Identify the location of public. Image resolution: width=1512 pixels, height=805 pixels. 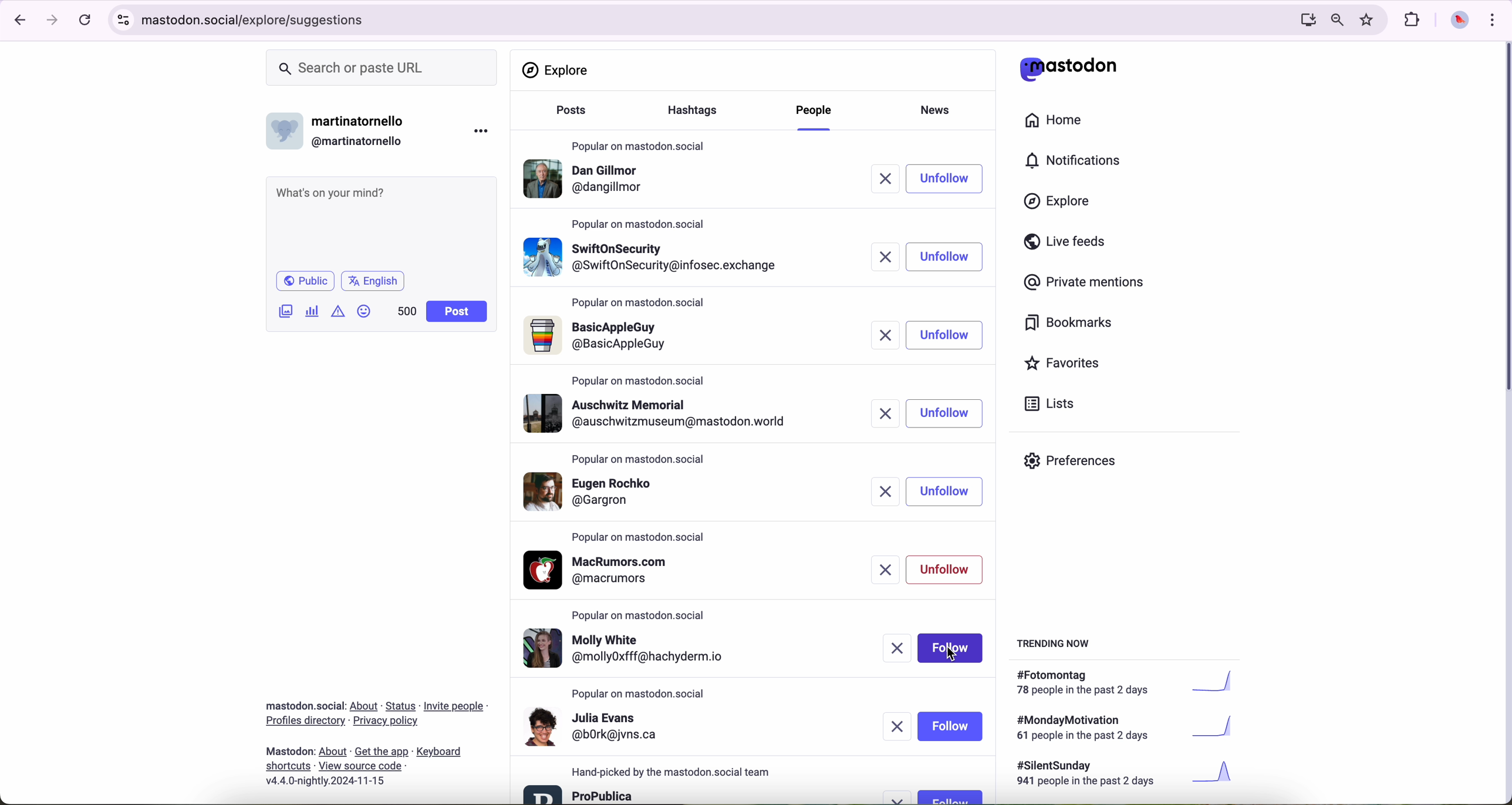
(304, 281).